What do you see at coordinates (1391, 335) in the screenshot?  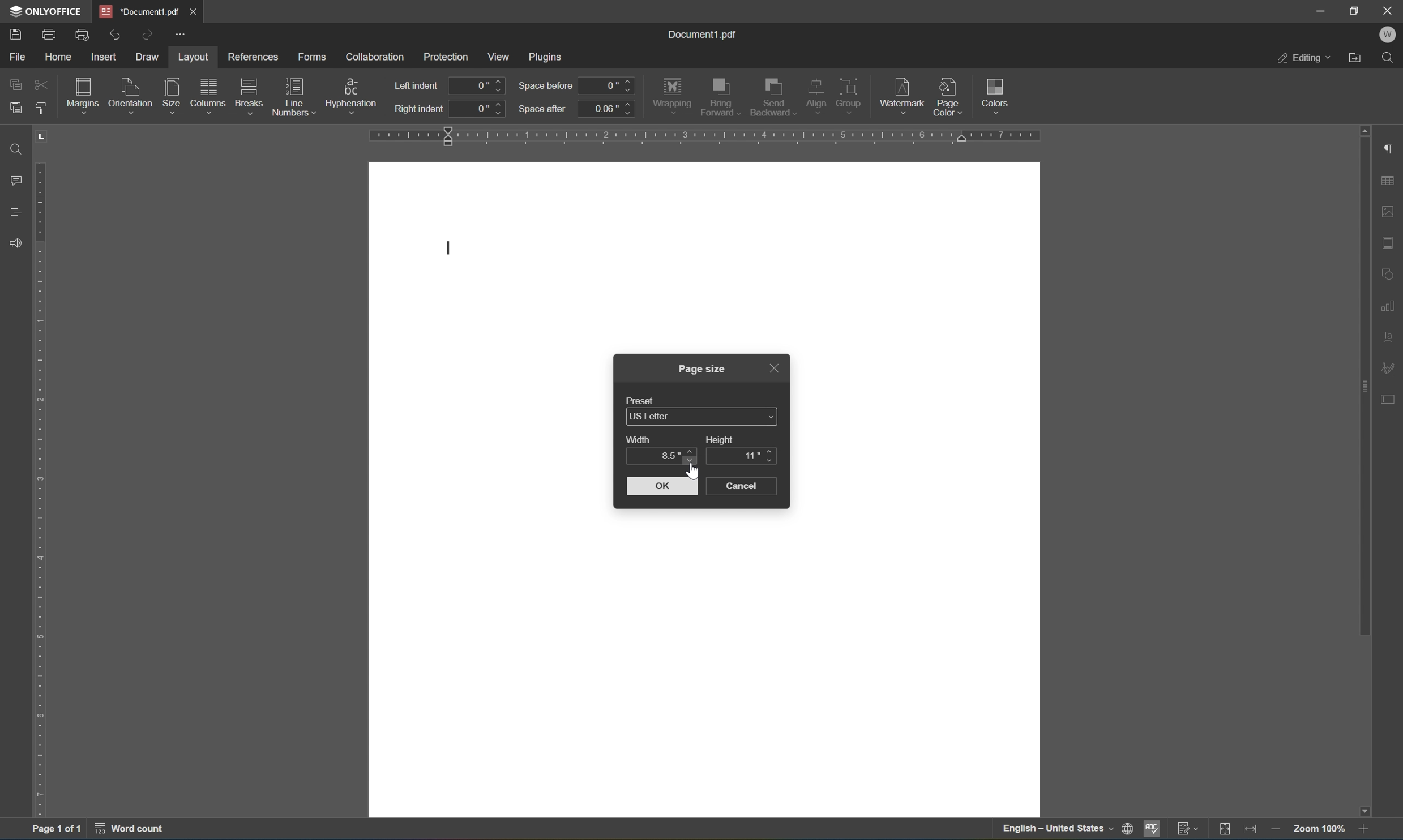 I see `text art settings` at bounding box center [1391, 335].